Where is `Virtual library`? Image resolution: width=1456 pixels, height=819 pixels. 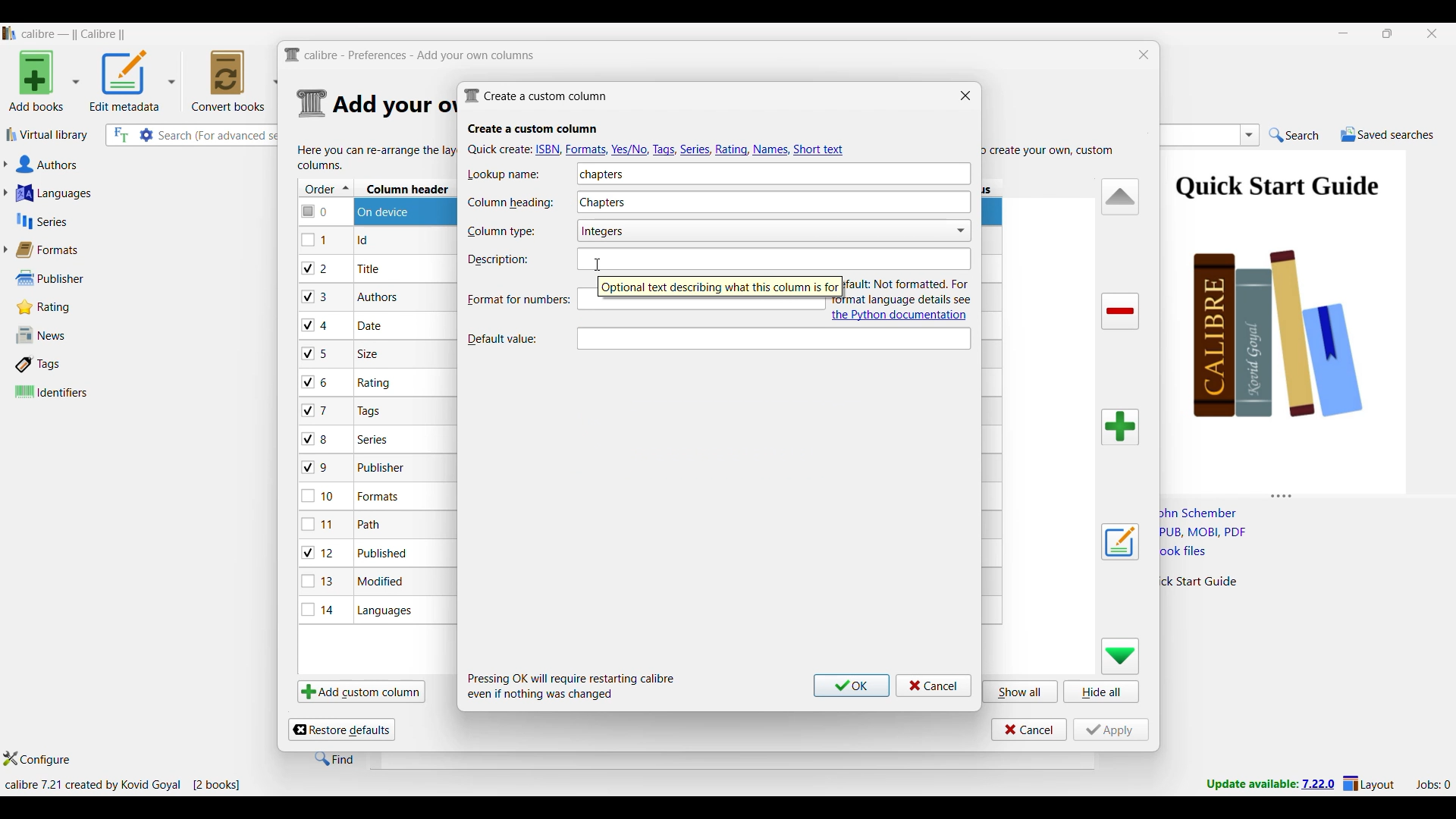
Virtual library is located at coordinates (48, 134).